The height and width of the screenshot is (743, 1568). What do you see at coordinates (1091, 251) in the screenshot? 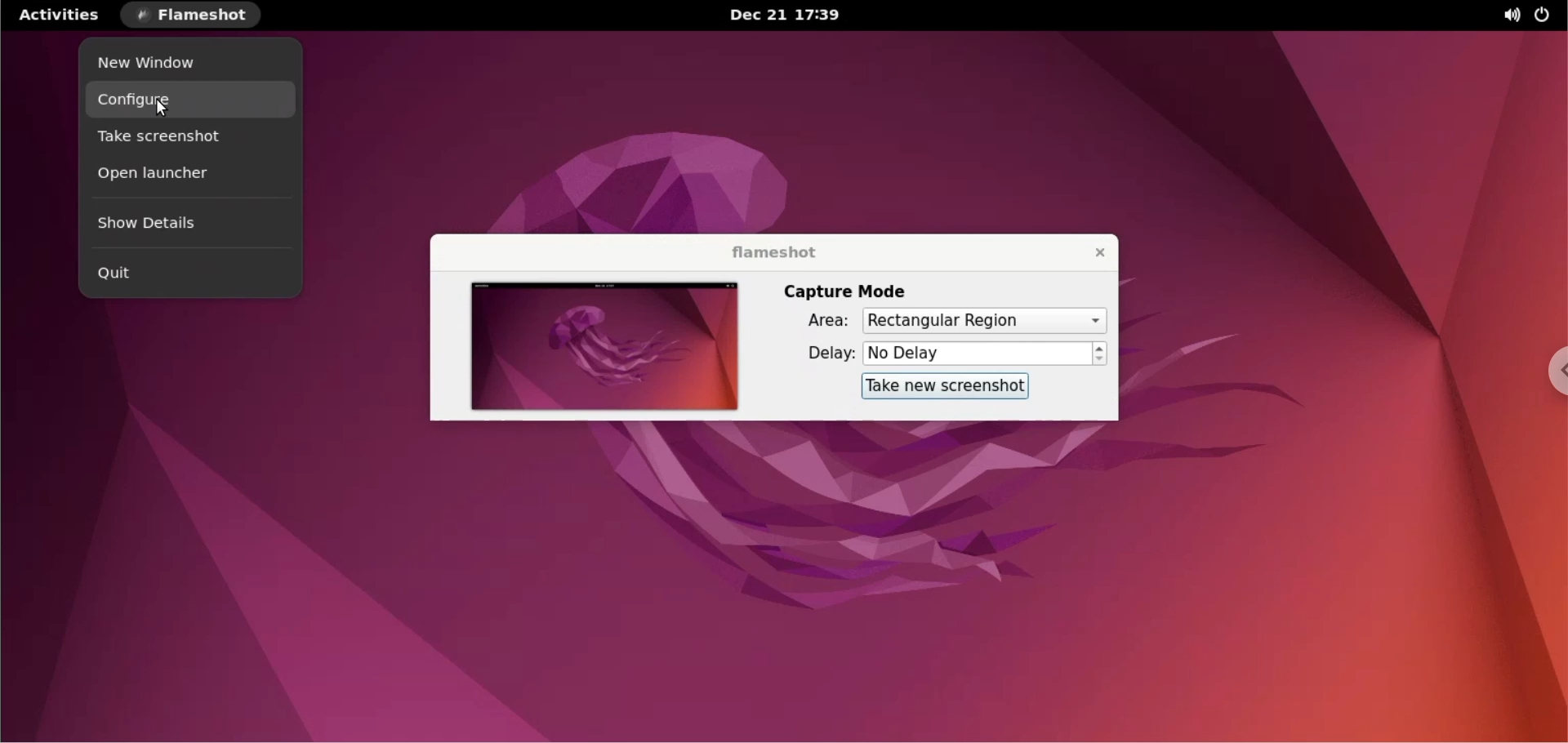
I see `close` at bounding box center [1091, 251].